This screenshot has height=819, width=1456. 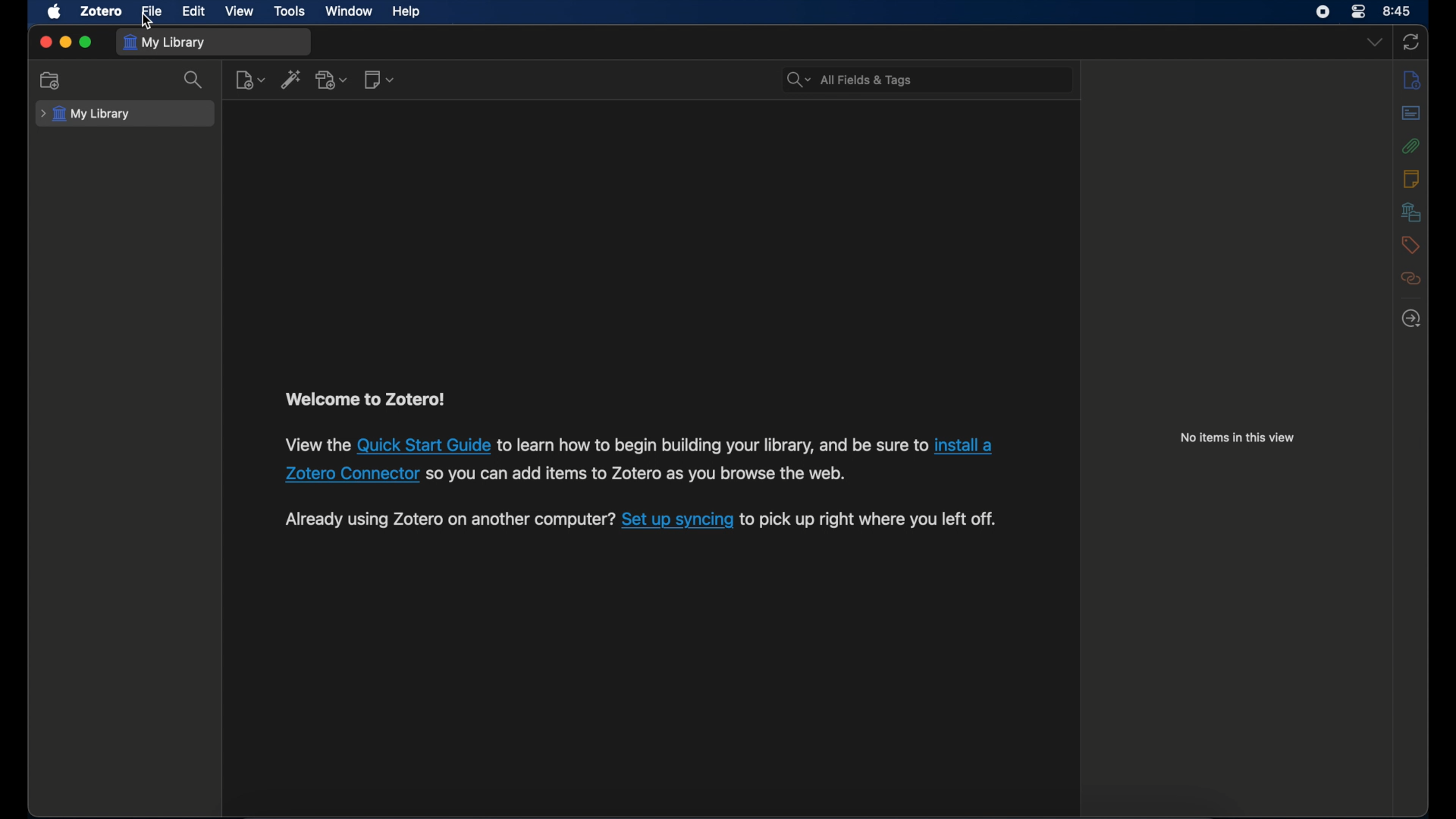 What do you see at coordinates (796, 80) in the screenshot?
I see `search dropdown` at bounding box center [796, 80].